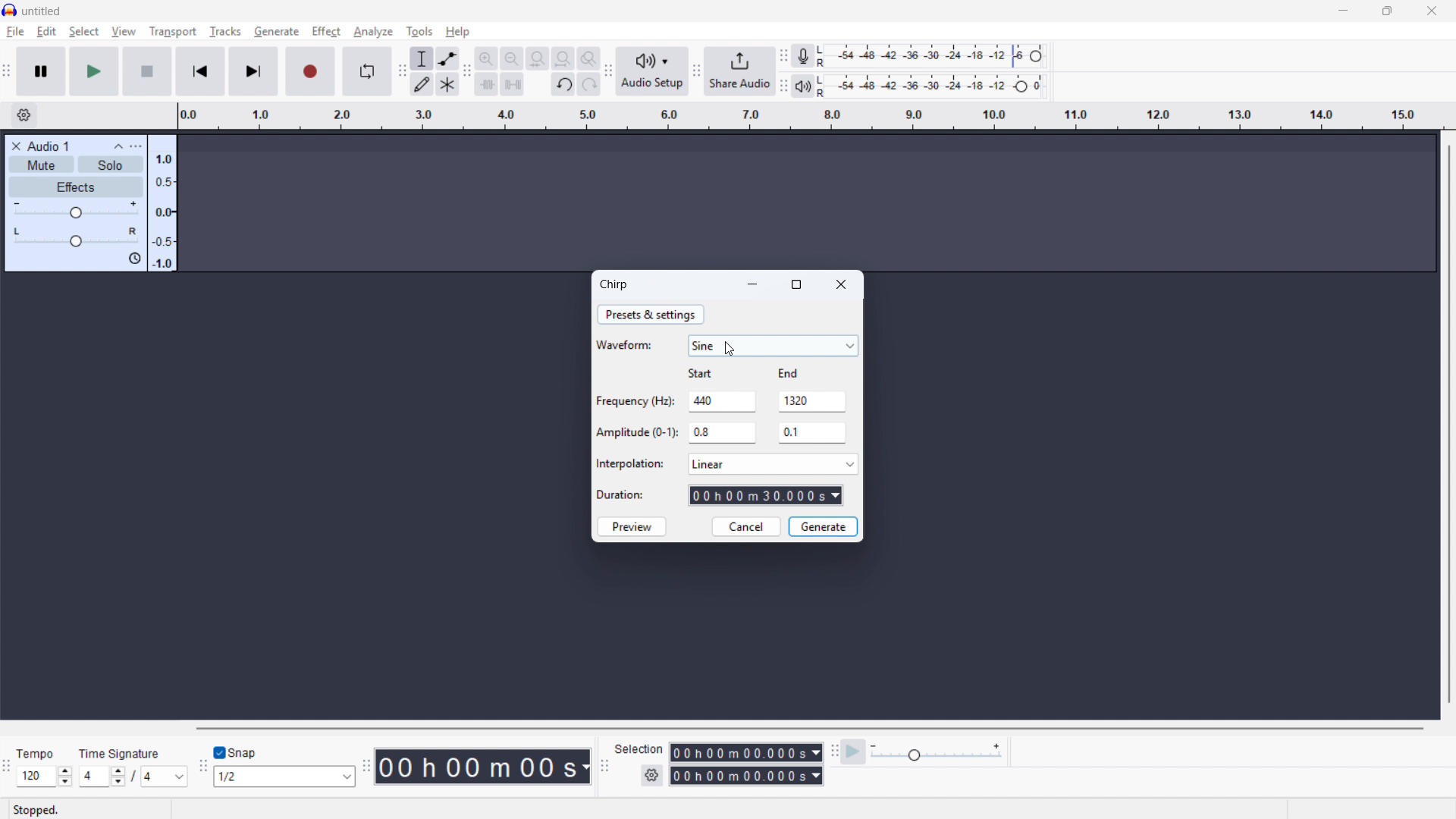 The width and height of the screenshot is (1456, 819). I want to click on maximise , so click(795, 284).